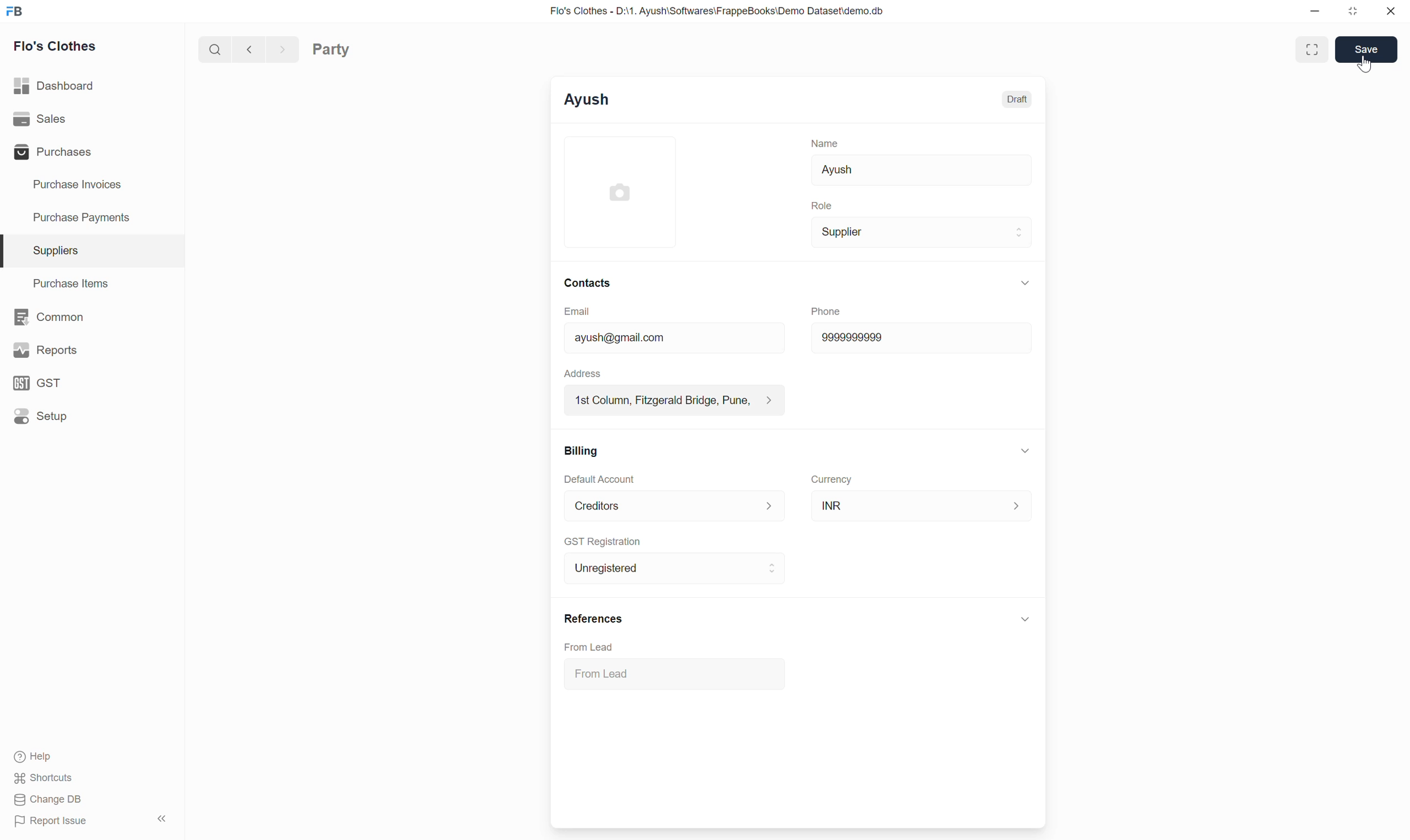 The image size is (1410, 840). I want to click on References, so click(595, 619).